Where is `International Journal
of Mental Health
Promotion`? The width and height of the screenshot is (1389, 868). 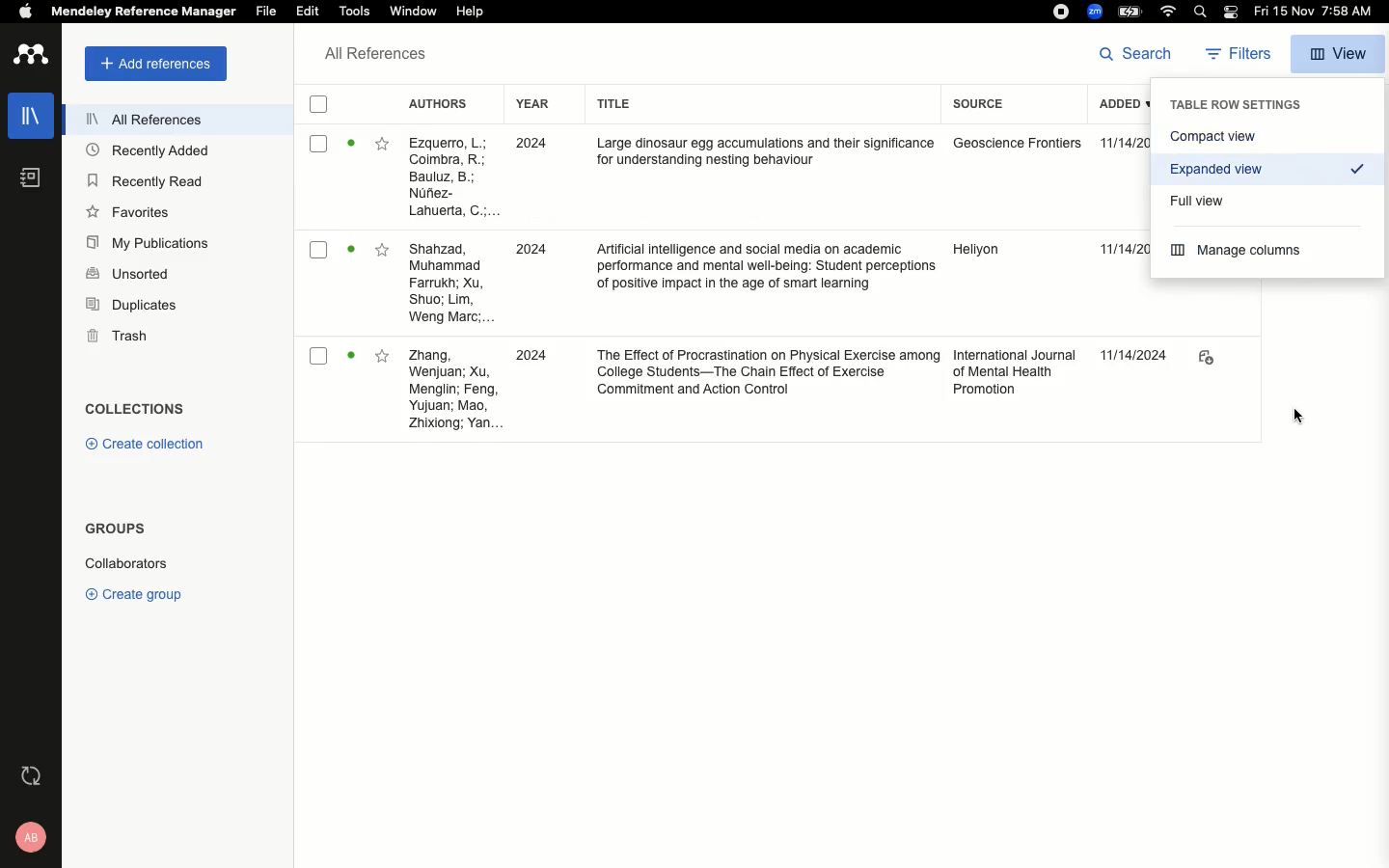 International Journal
of Mental Health
Promotion is located at coordinates (1015, 373).